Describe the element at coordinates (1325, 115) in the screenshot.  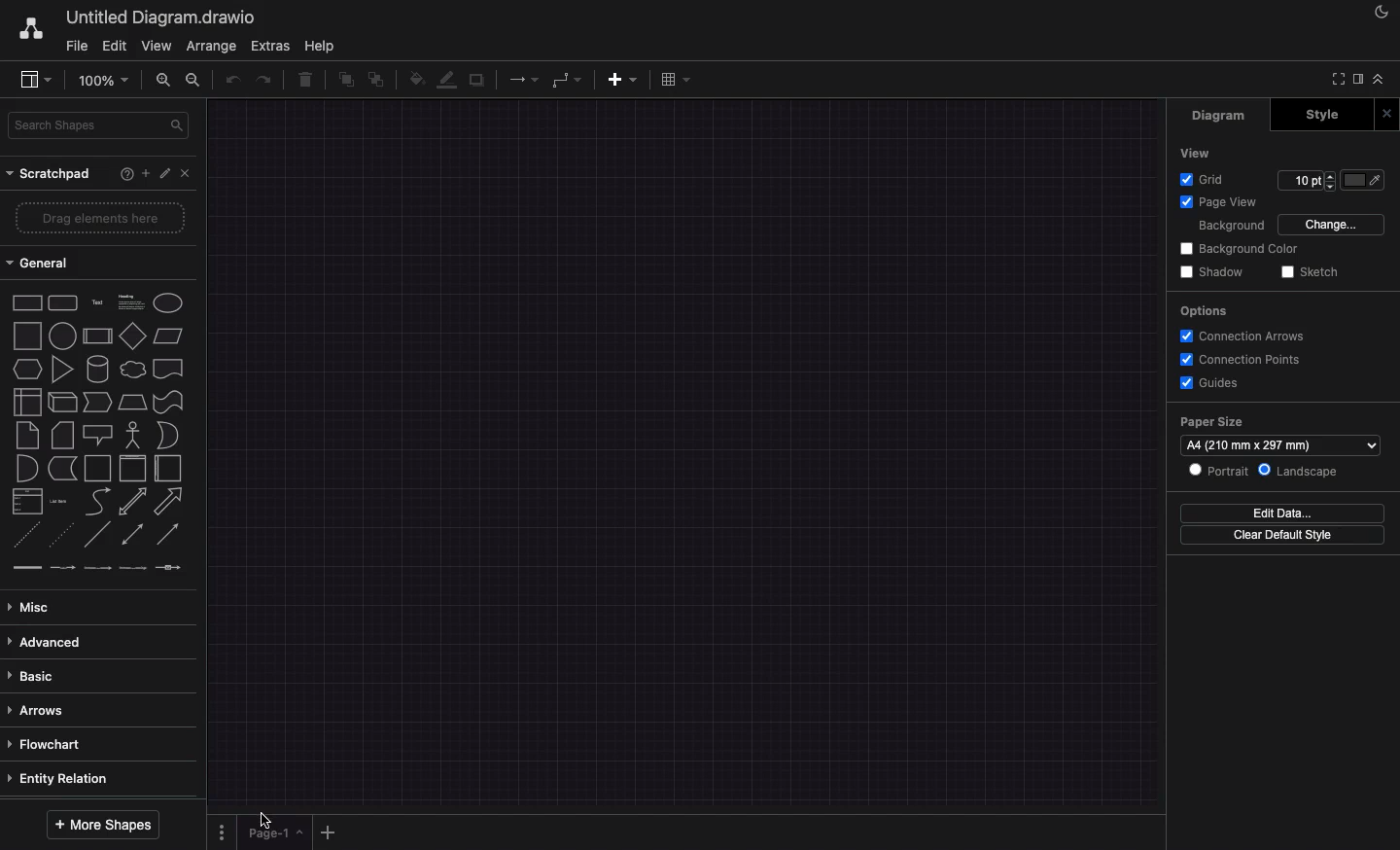
I see `style` at that location.